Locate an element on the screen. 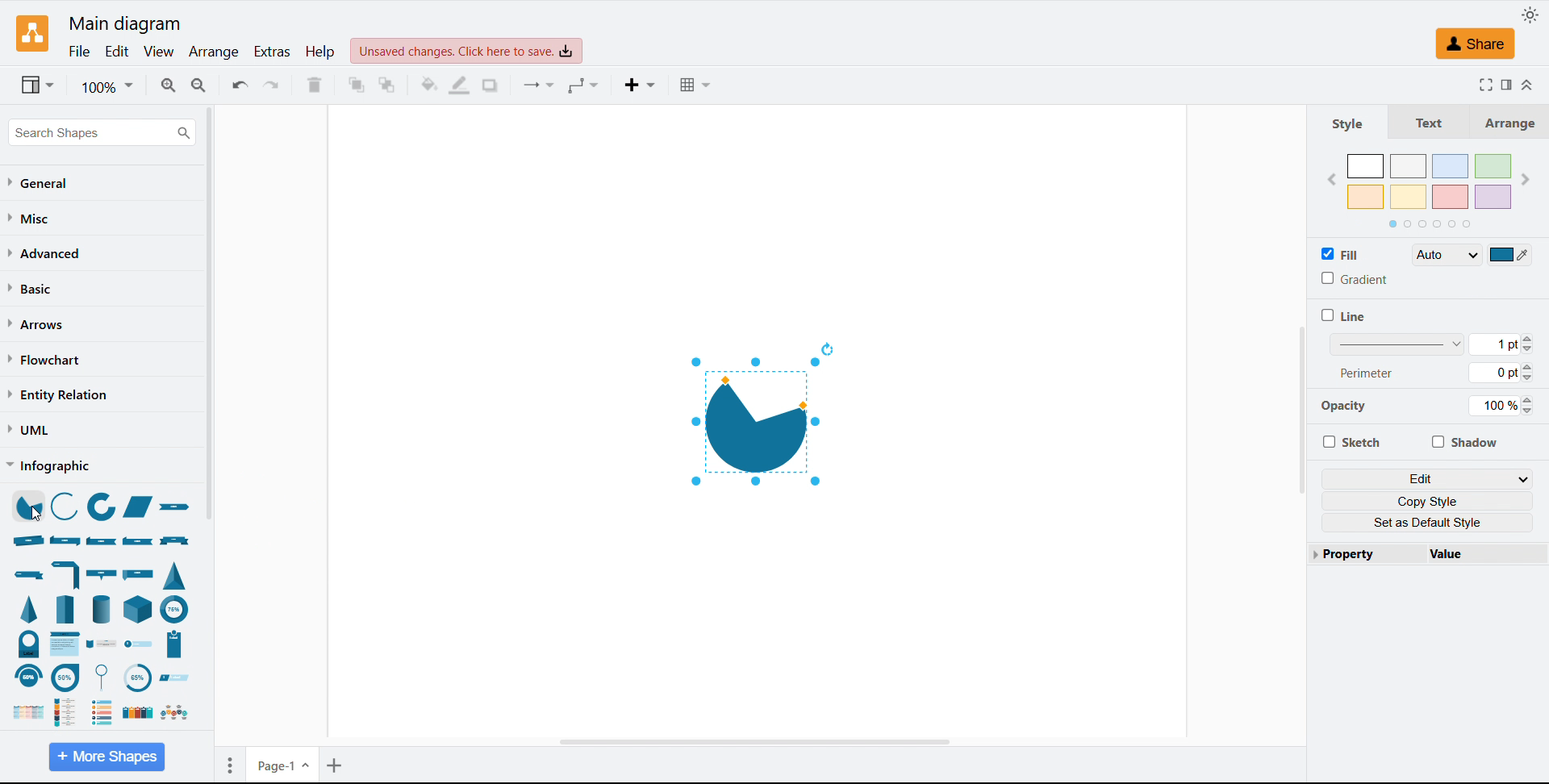 The width and height of the screenshot is (1549, 784). cylinder is located at coordinates (101, 611).